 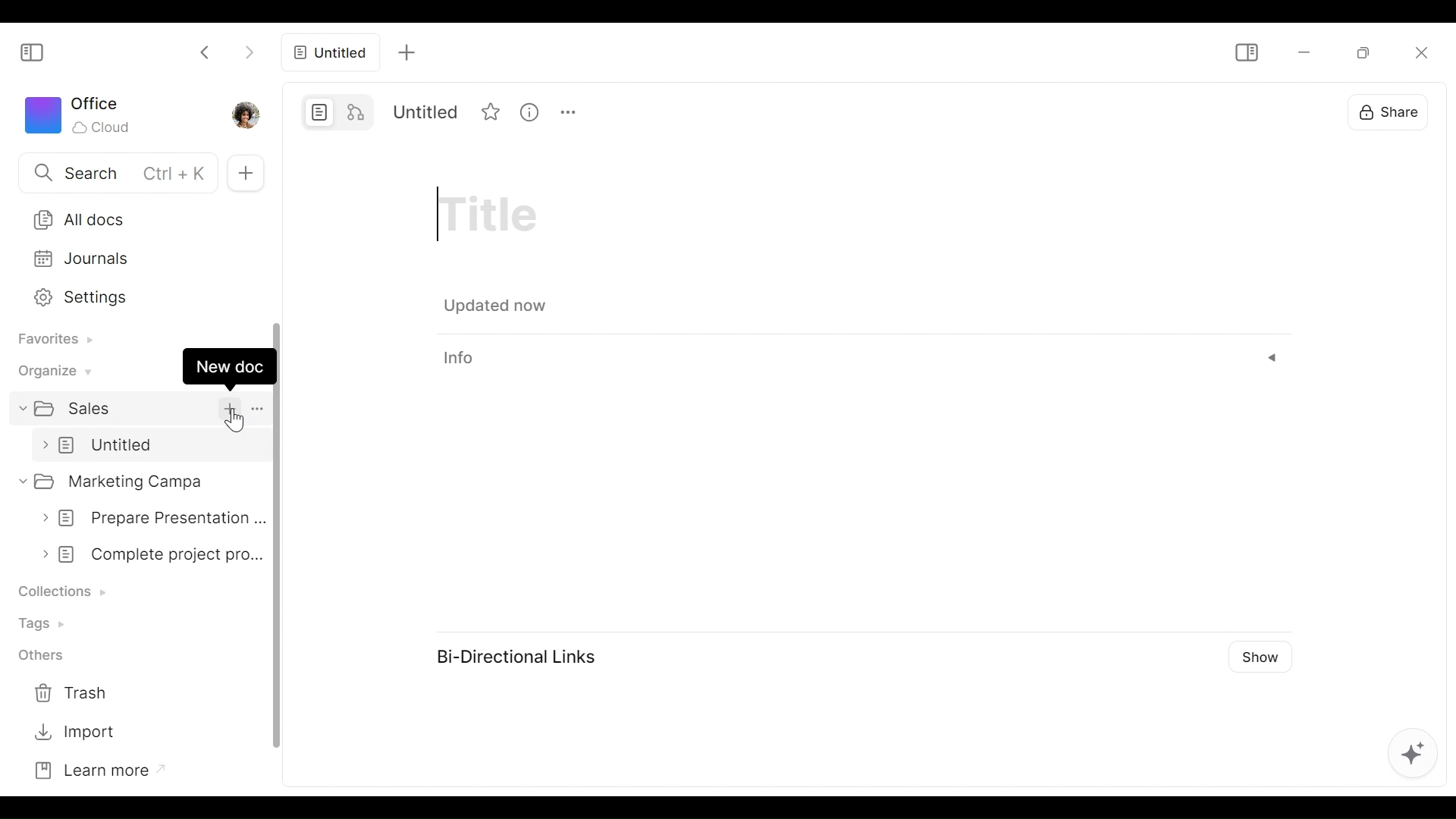 What do you see at coordinates (245, 53) in the screenshot?
I see `Click to go forward` at bounding box center [245, 53].